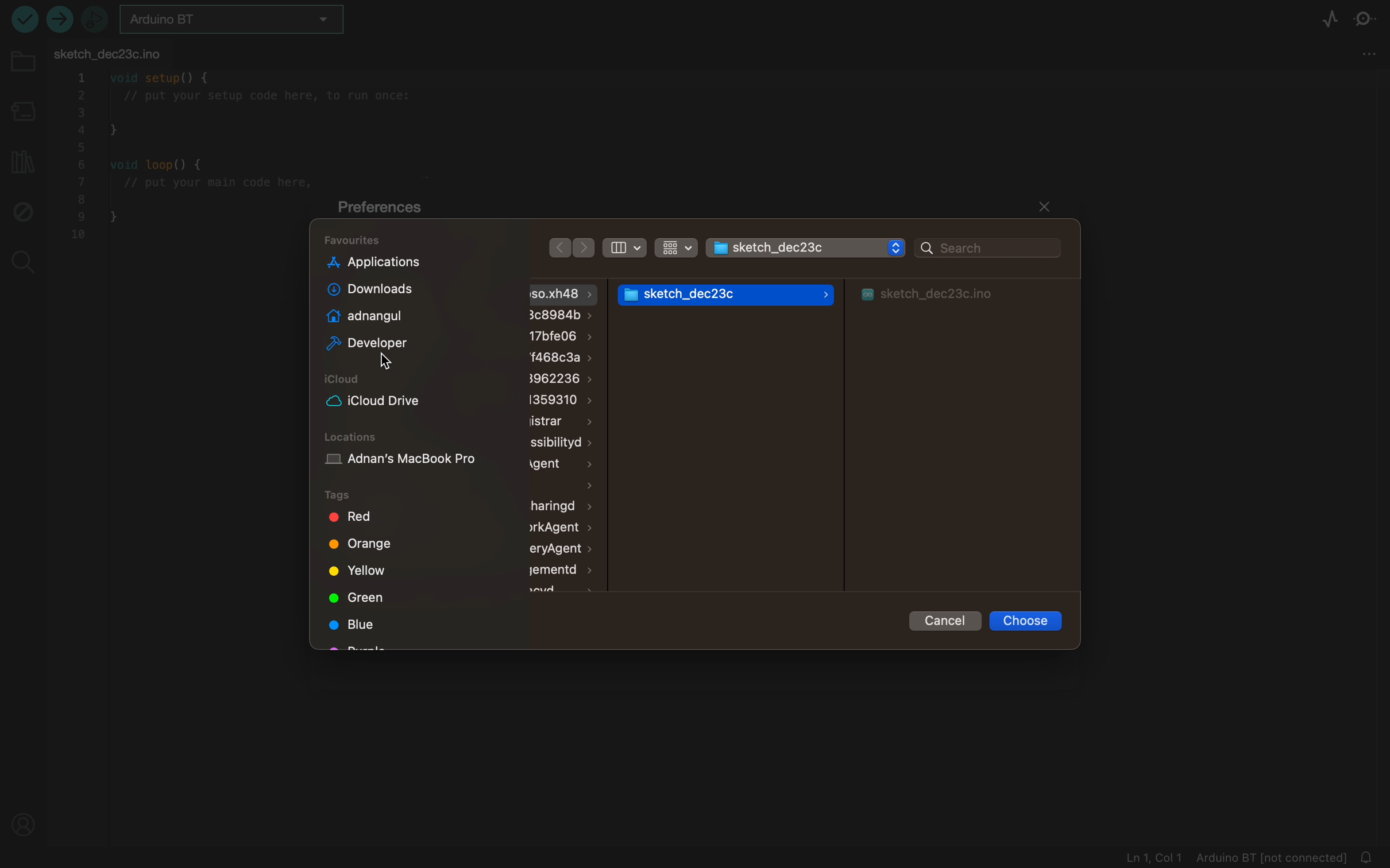 Image resolution: width=1390 pixels, height=868 pixels. I want to click on preferences, so click(391, 208).